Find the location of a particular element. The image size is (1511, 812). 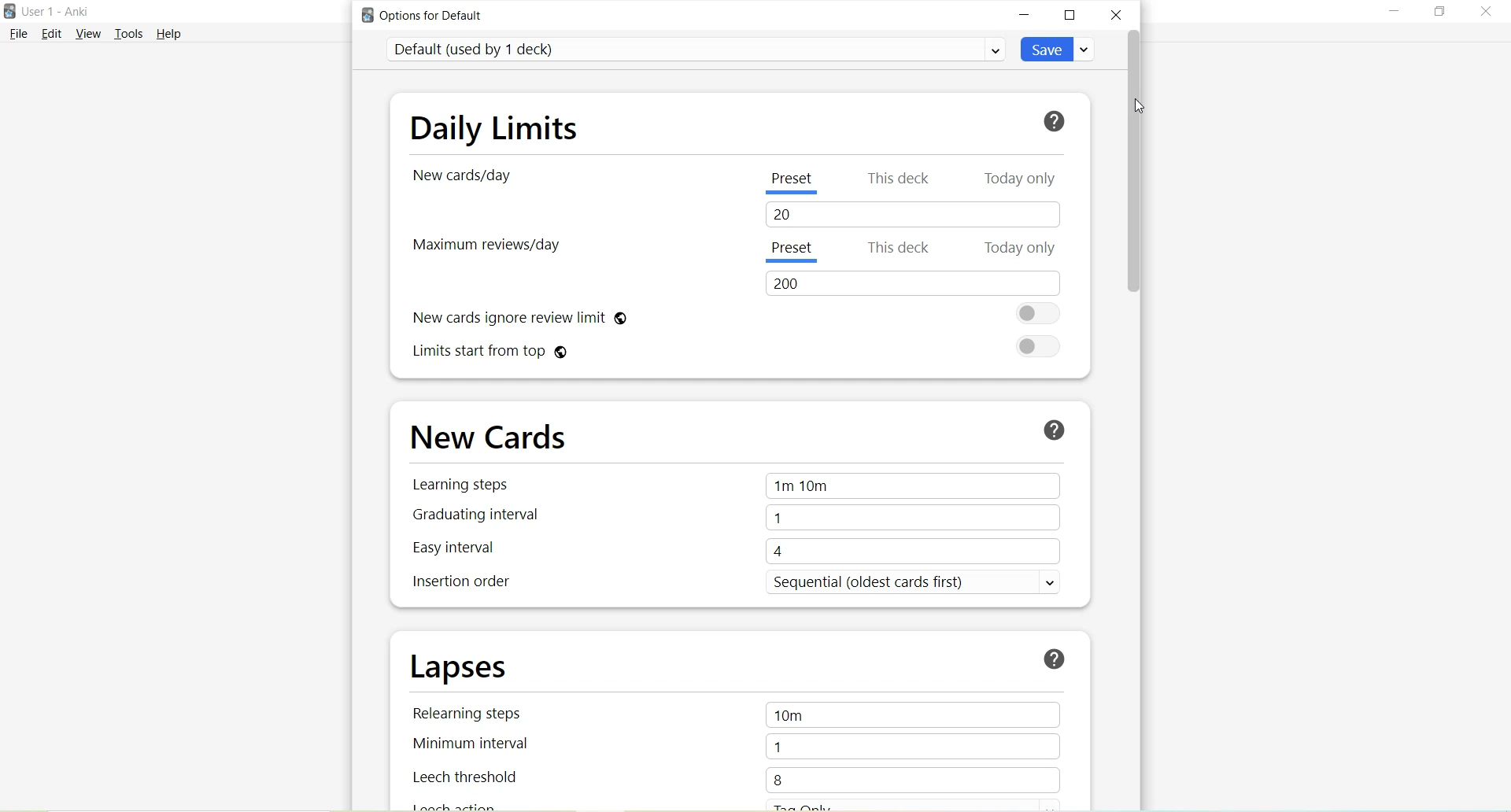

Today only is located at coordinates (1020, 248).